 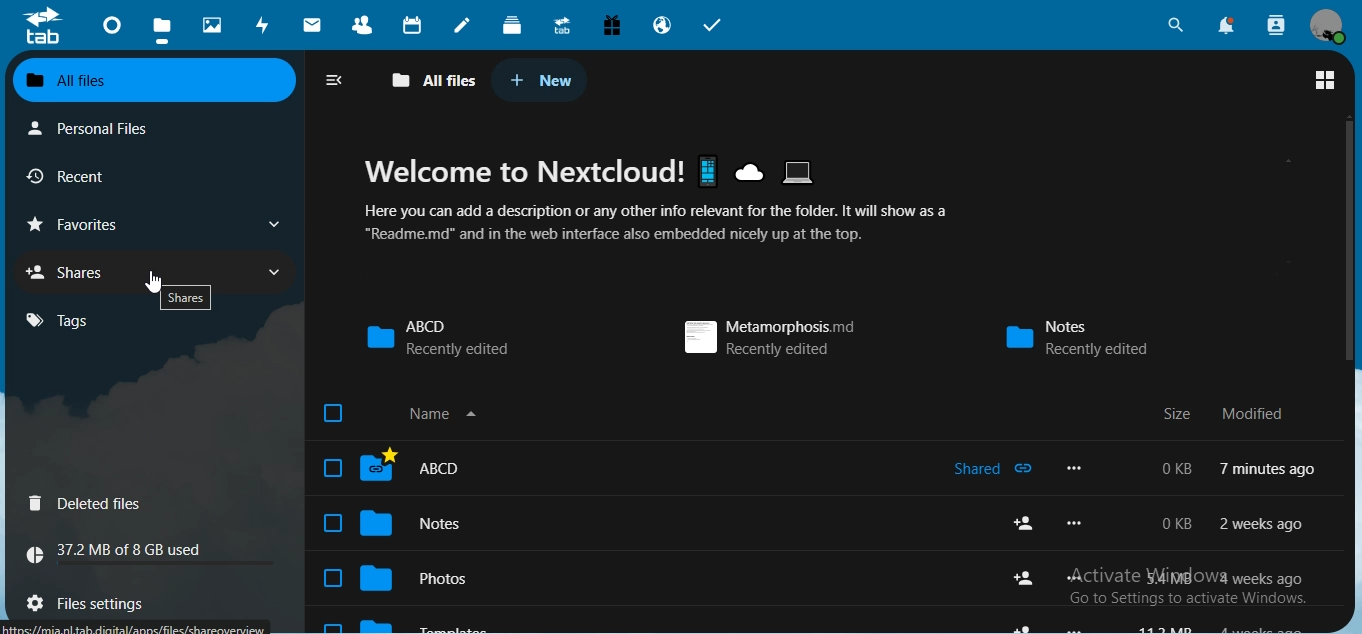 What do you see at coordinates (155, 283) in the screenshot?
I see `cursor` at bounding box center [155, 283].